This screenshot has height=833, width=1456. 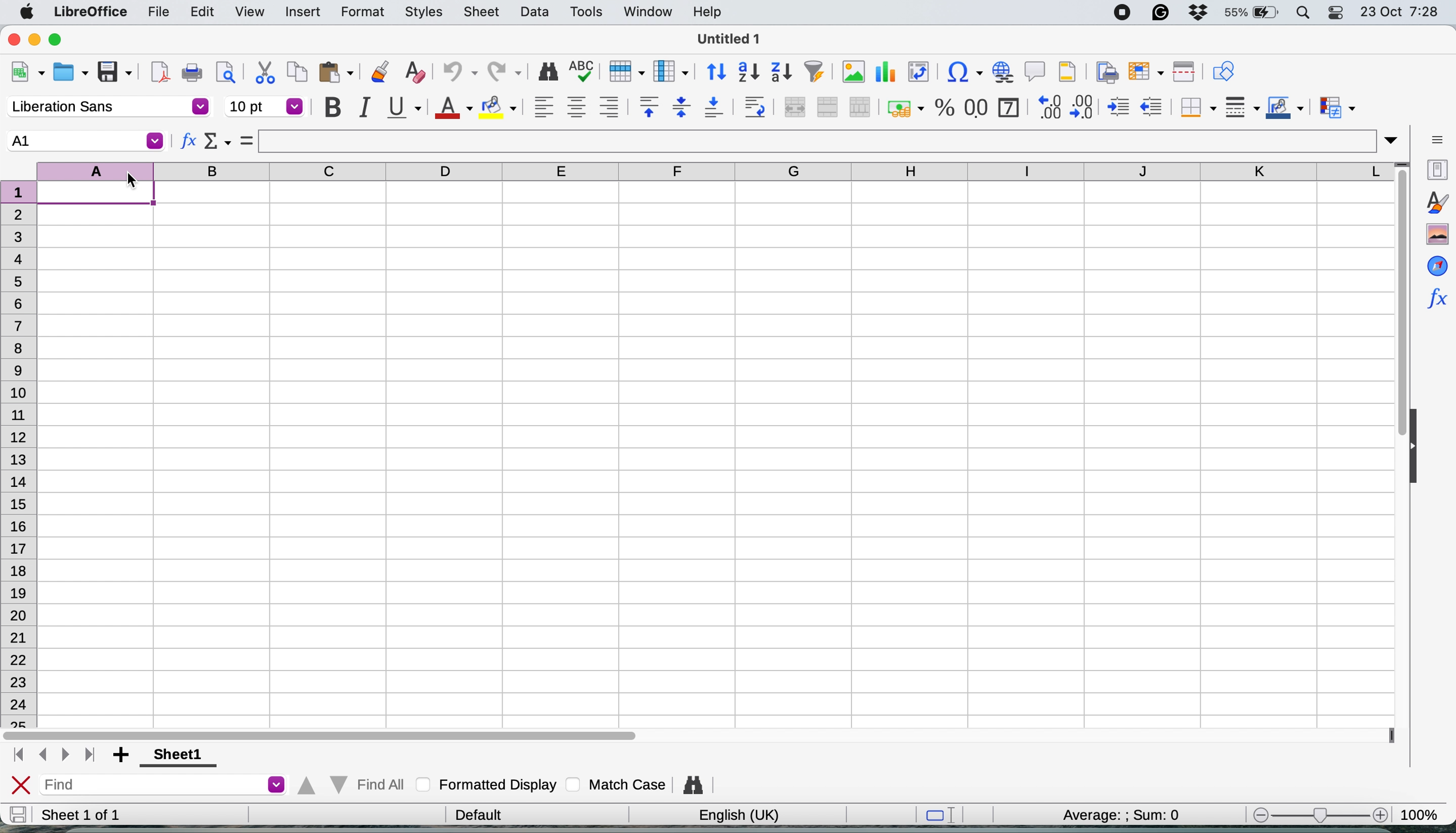 What do you see at coordinates (1284, 107) in the screenshot?
I see `border colour` at bounding box center [1284, 107].